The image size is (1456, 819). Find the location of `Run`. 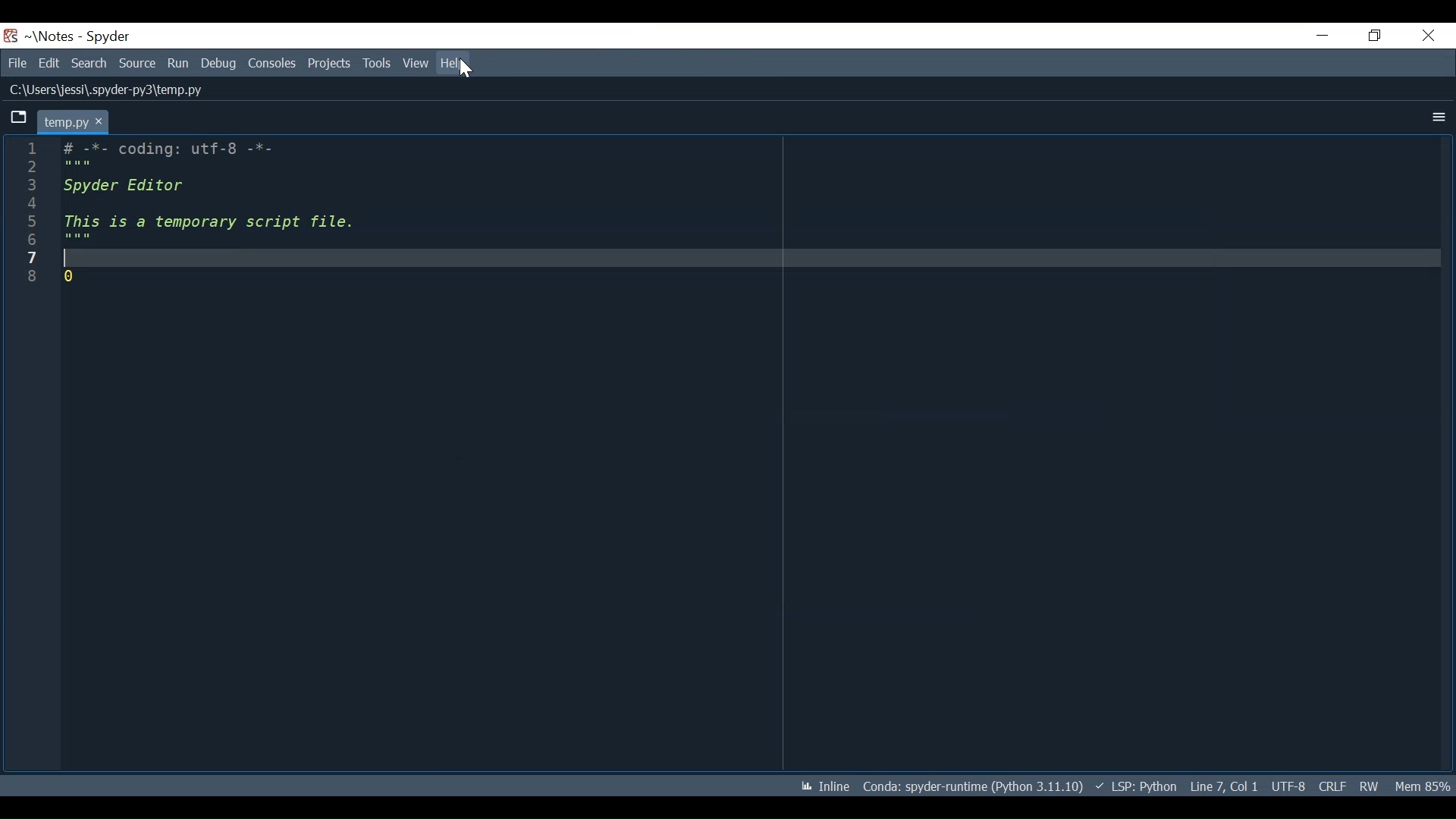

Run is located at coordinates (179, 64).